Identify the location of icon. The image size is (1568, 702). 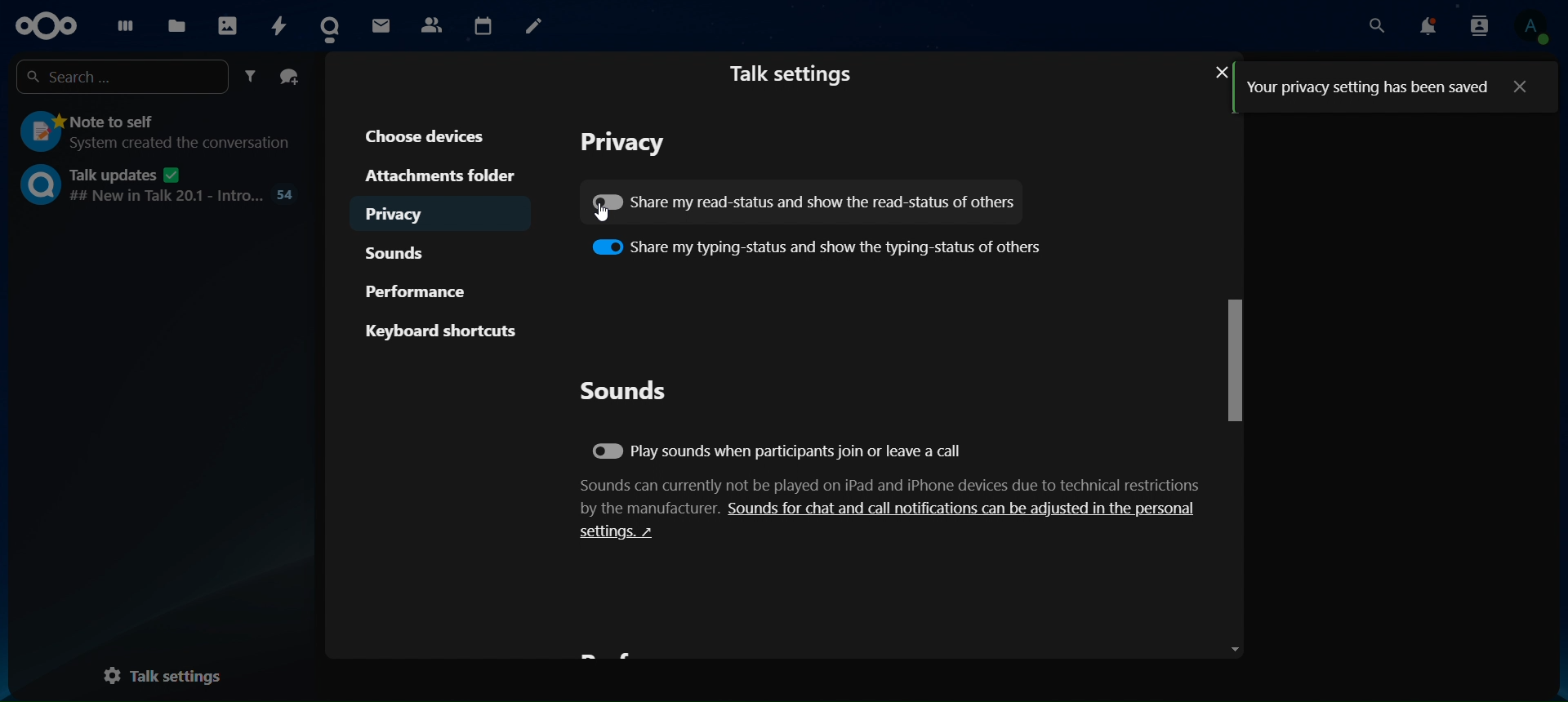
(44, 25).